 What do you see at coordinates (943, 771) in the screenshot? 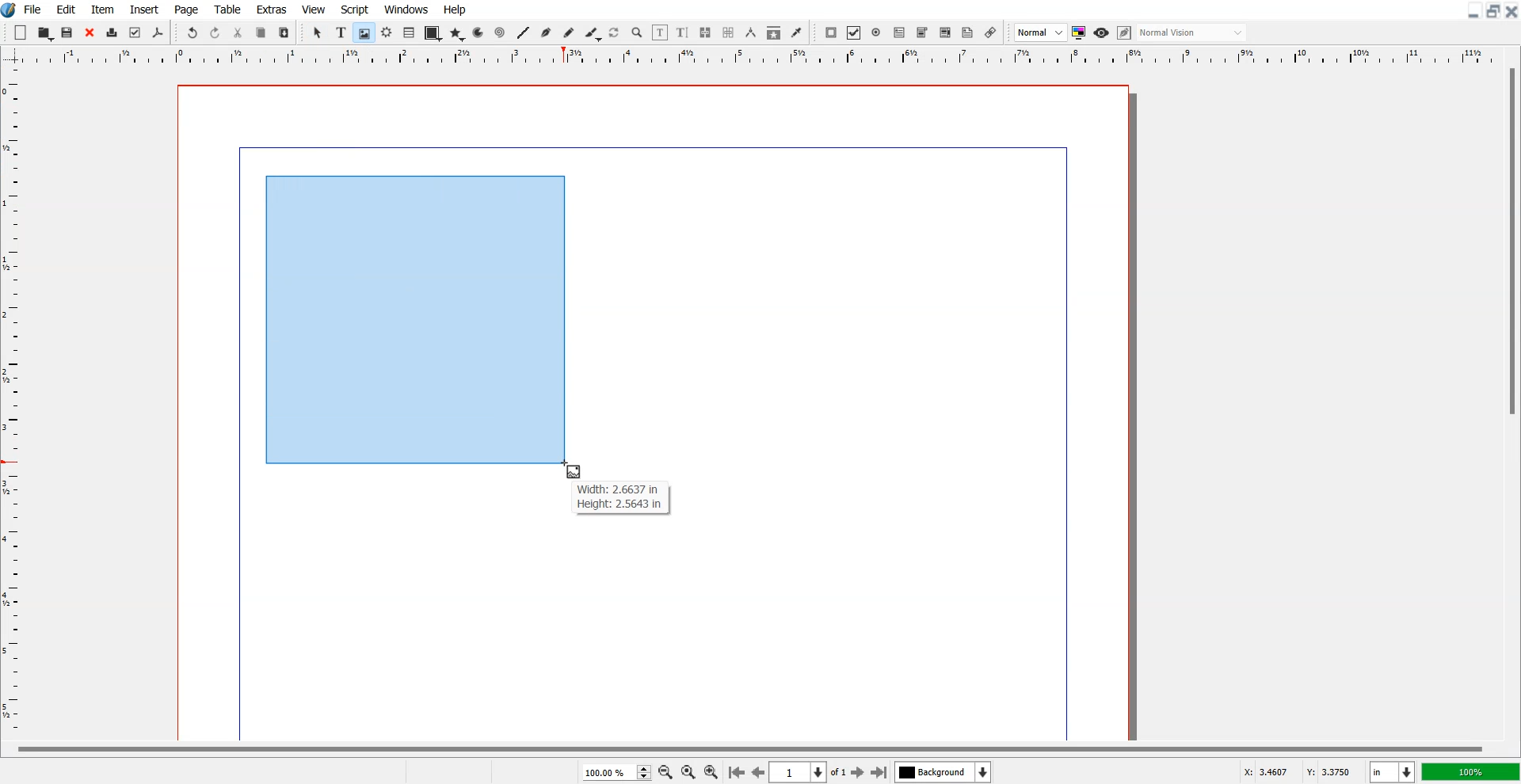
I see `Select the current layer` at bounding box center [943, 771].